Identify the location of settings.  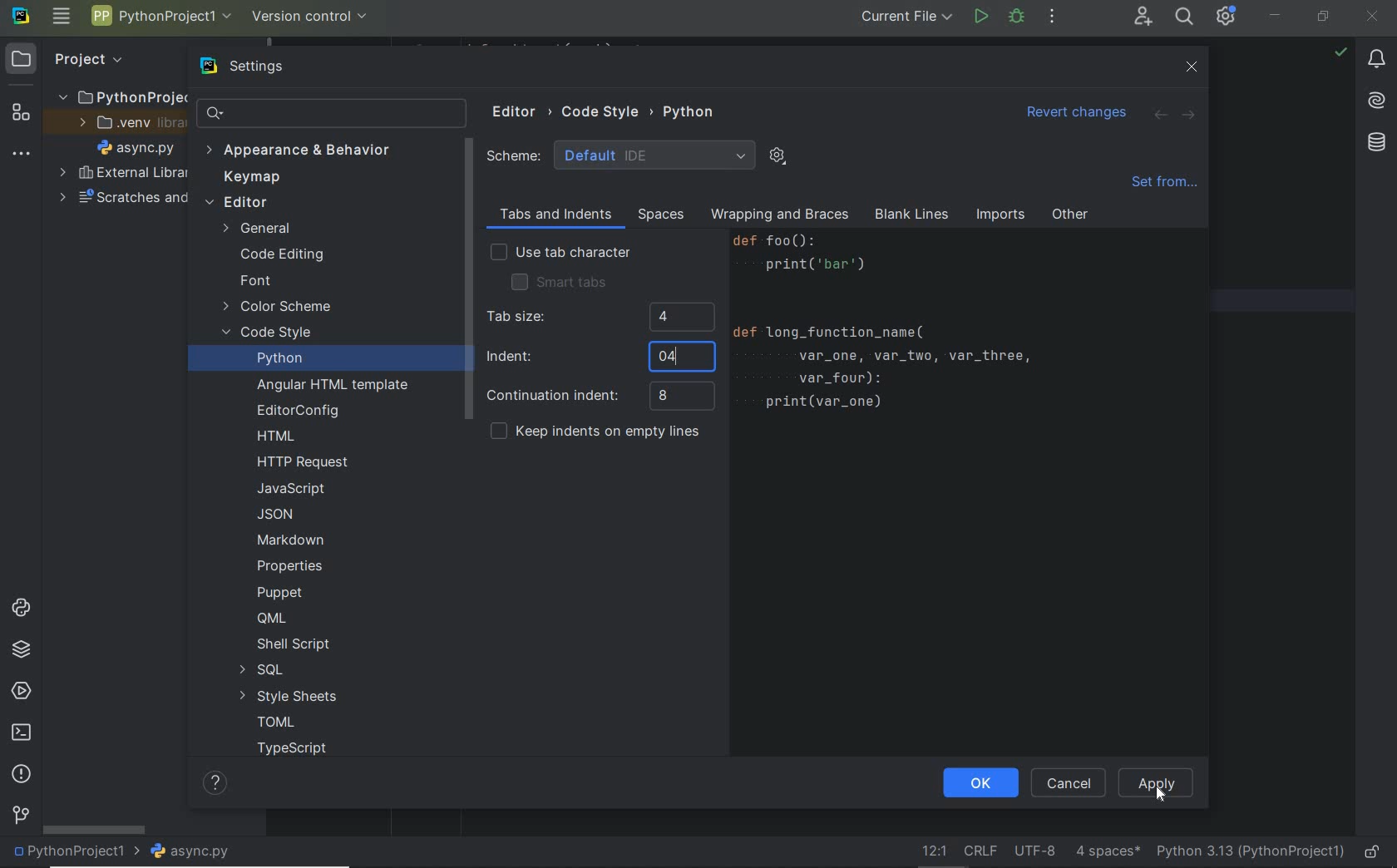
(259, 67).